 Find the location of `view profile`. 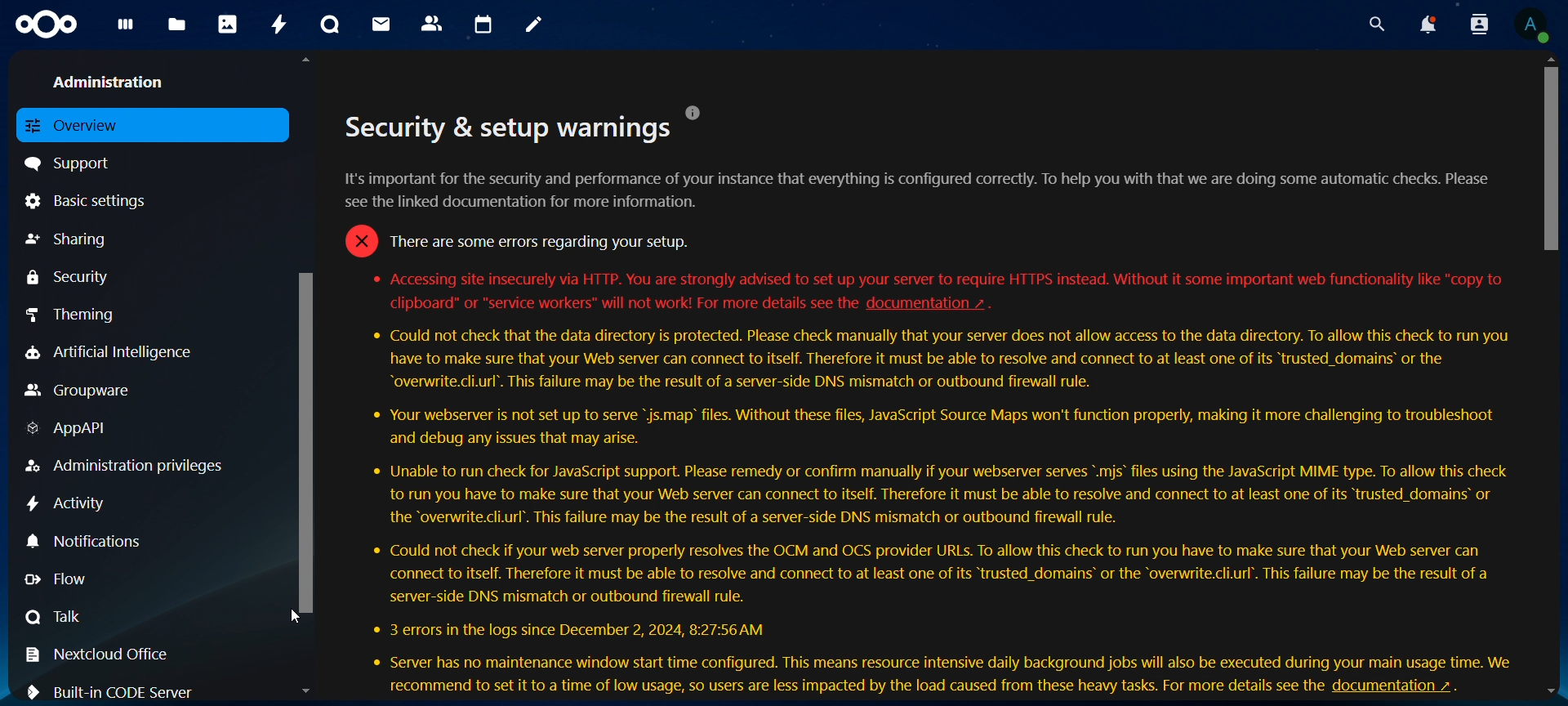

view profile is located at coordinates (1531, 25).